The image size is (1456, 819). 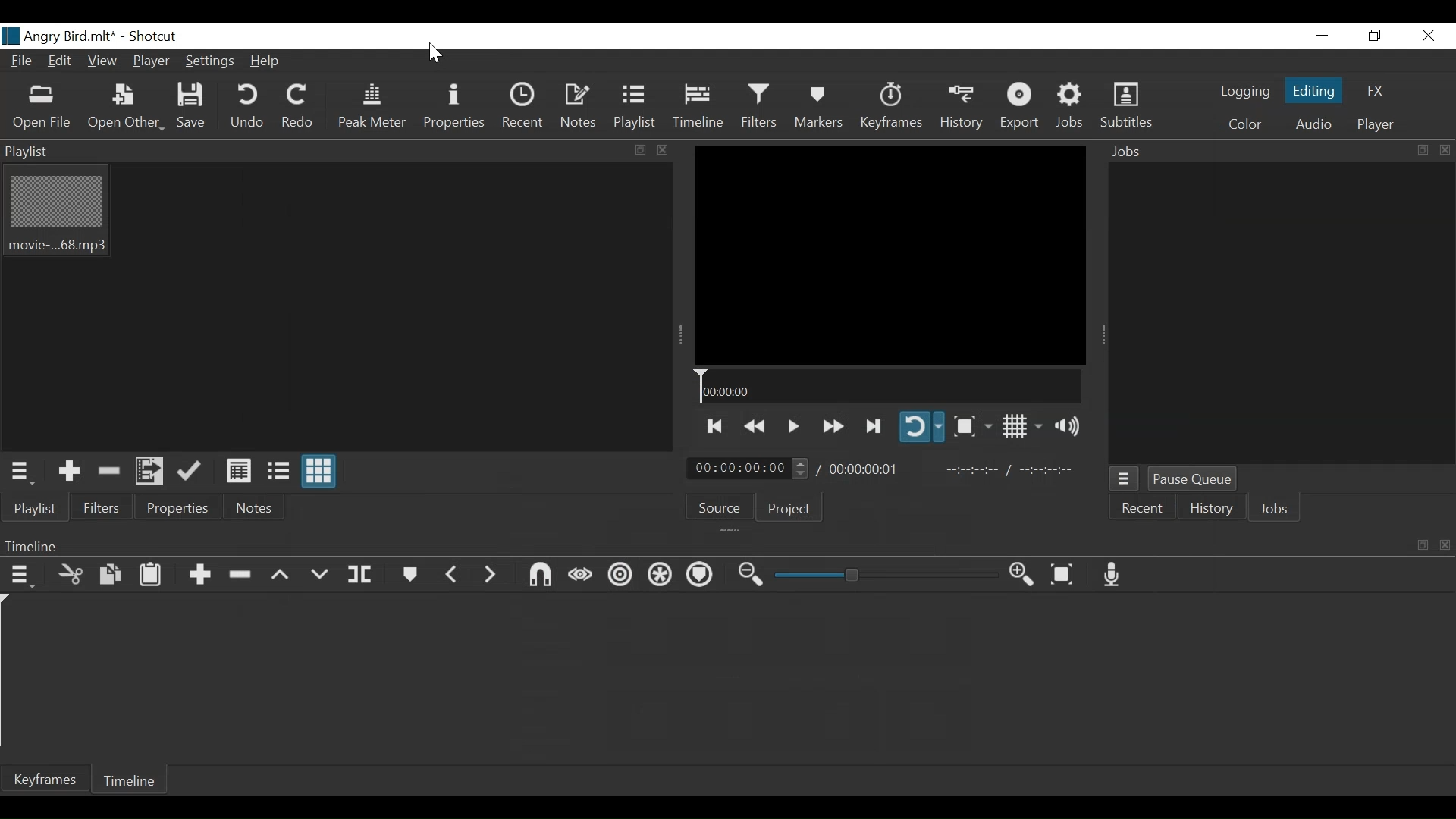 What do you see at coordinates (759, 106) in the screenshot?
I see `Filters` at bounding box center [759, 106].